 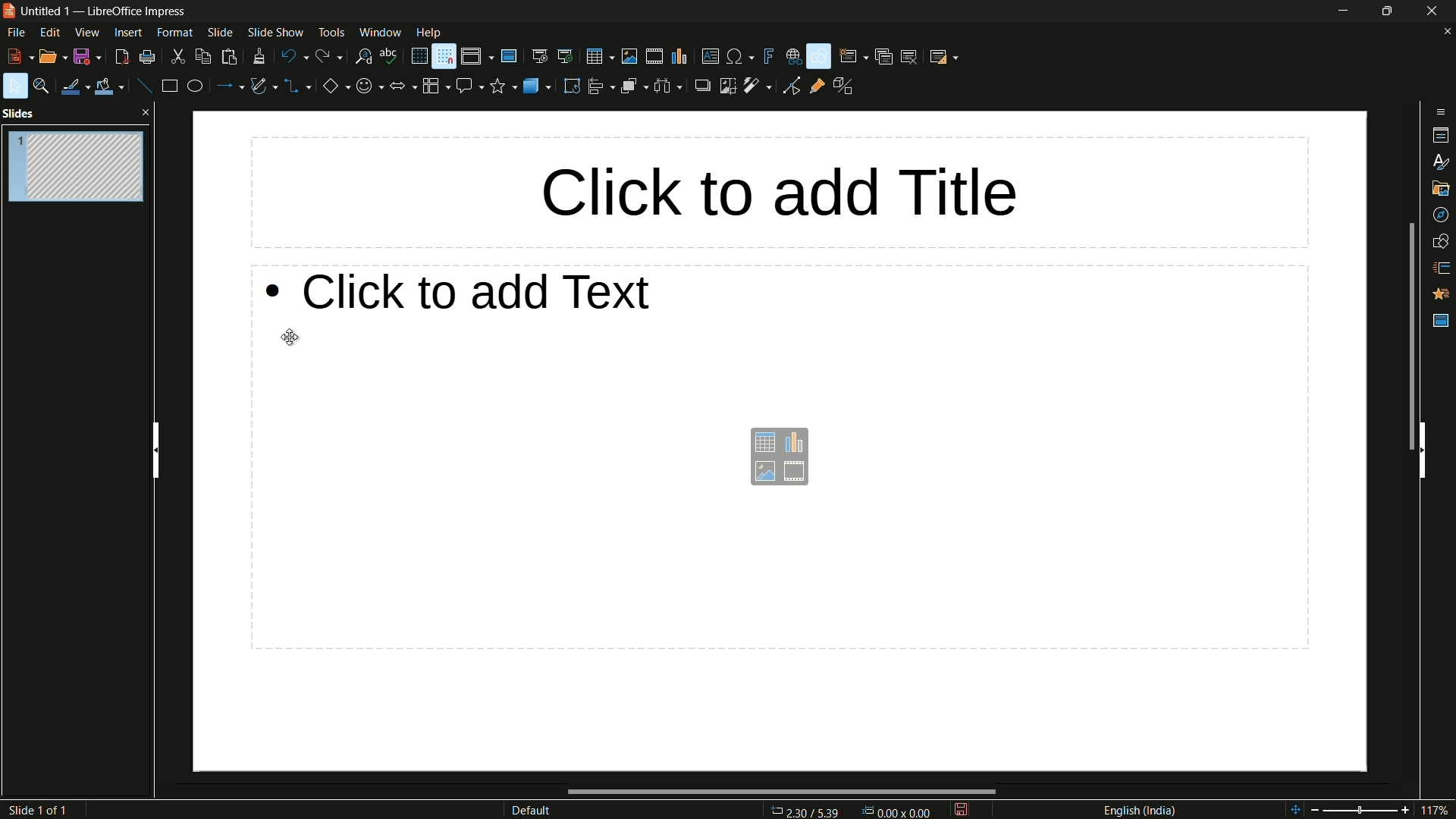 I want to click on clone formatting, so click(x=258, y=55).